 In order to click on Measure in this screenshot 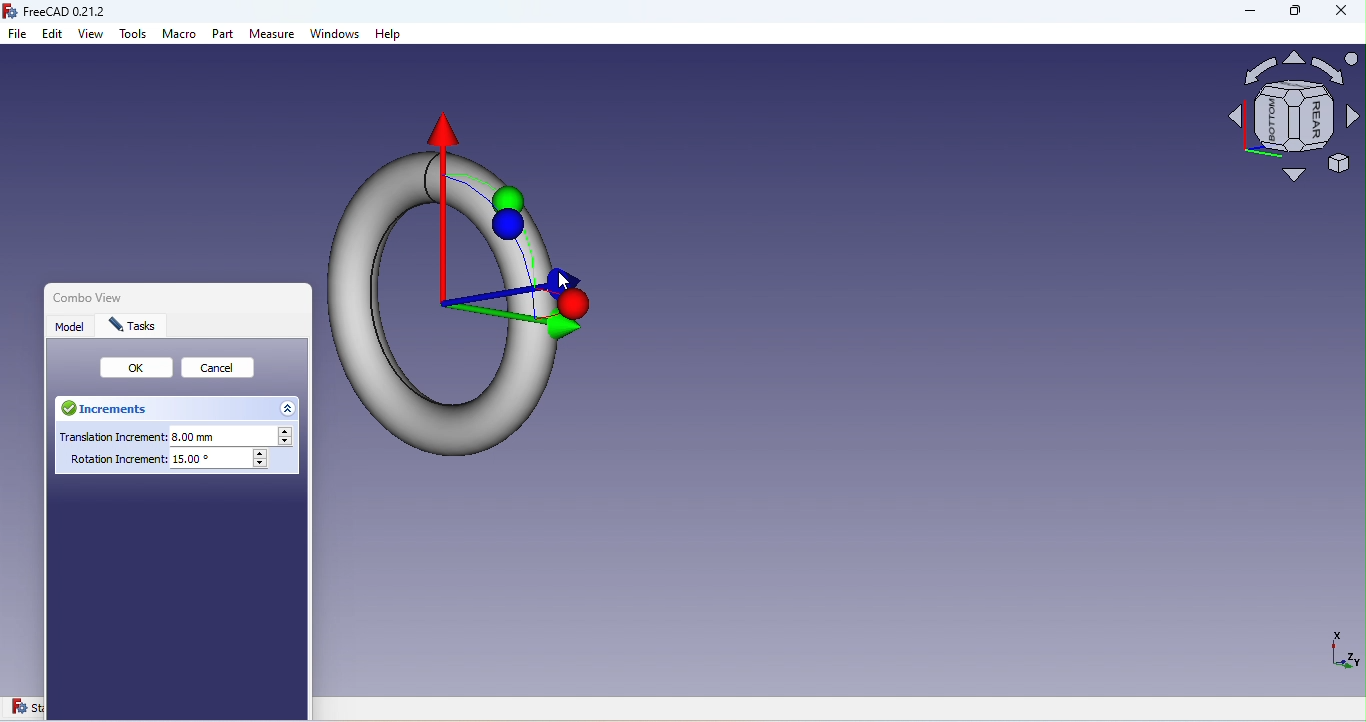, I will do `click(273, 35)`.